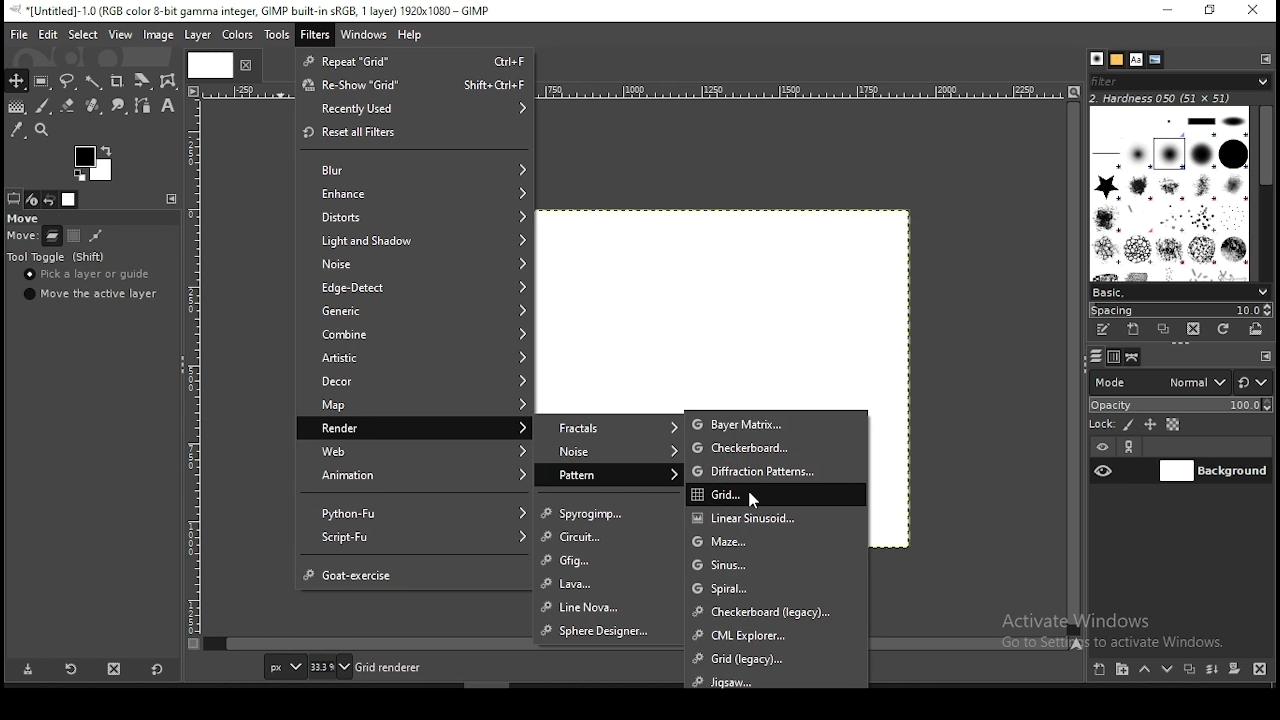 The width and height of the screenshot is (1280, 720). I want to click on duplicate layer, so click(1189, 672).